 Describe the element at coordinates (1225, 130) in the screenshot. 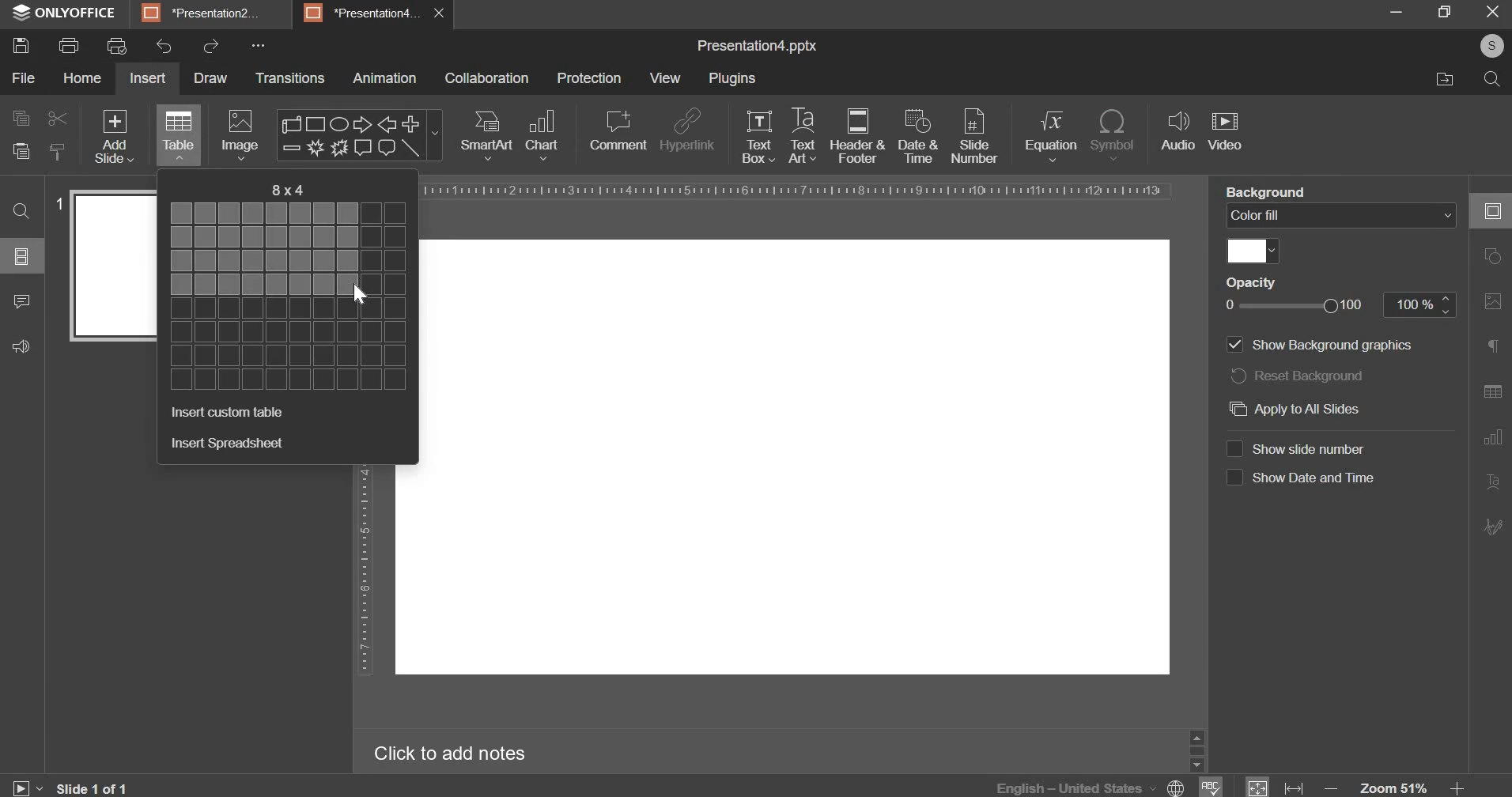

I see `video` at that location.